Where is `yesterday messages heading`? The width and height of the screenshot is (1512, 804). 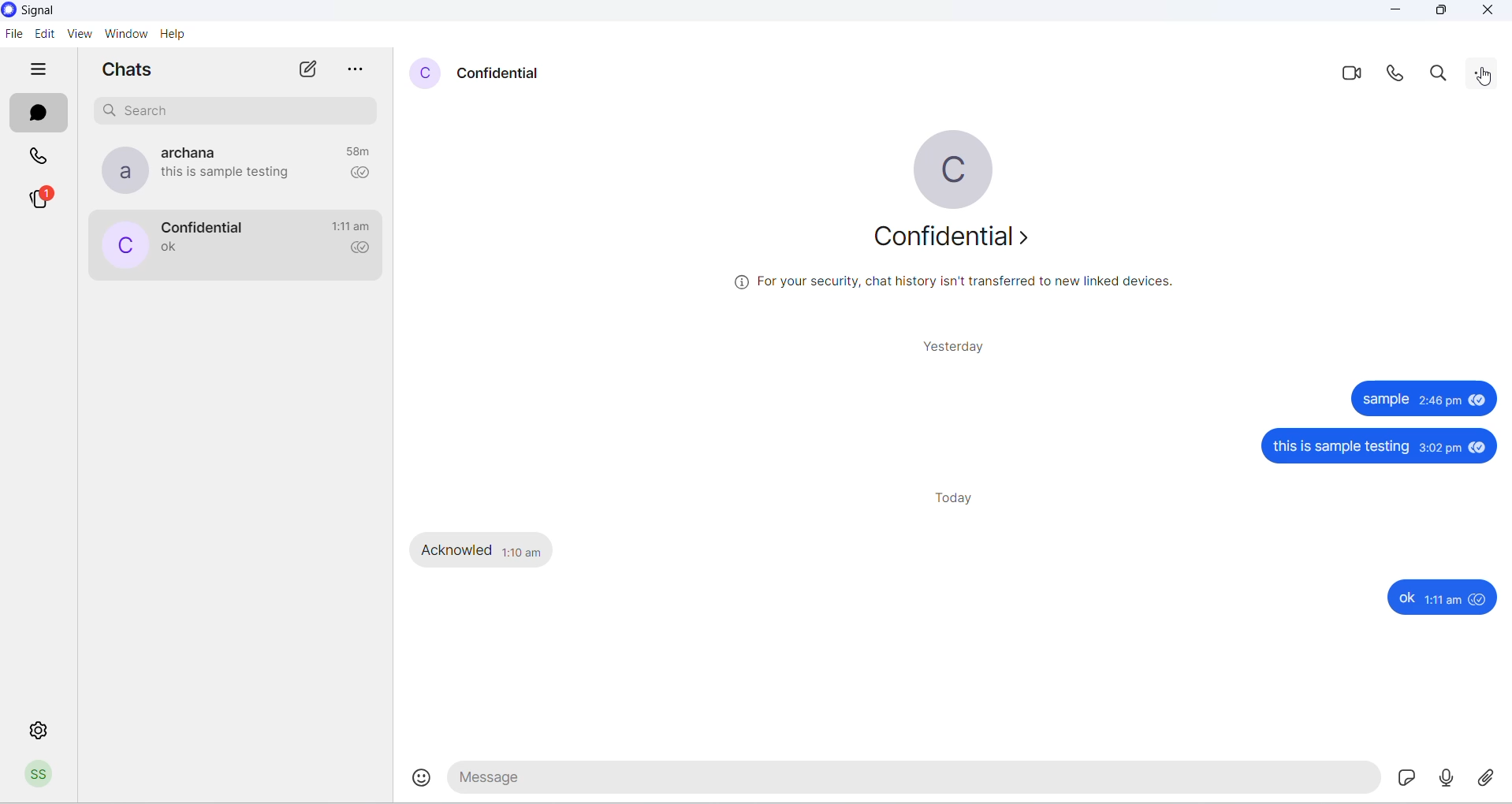 yesterday messages heading is located at coordinates (955, 347).